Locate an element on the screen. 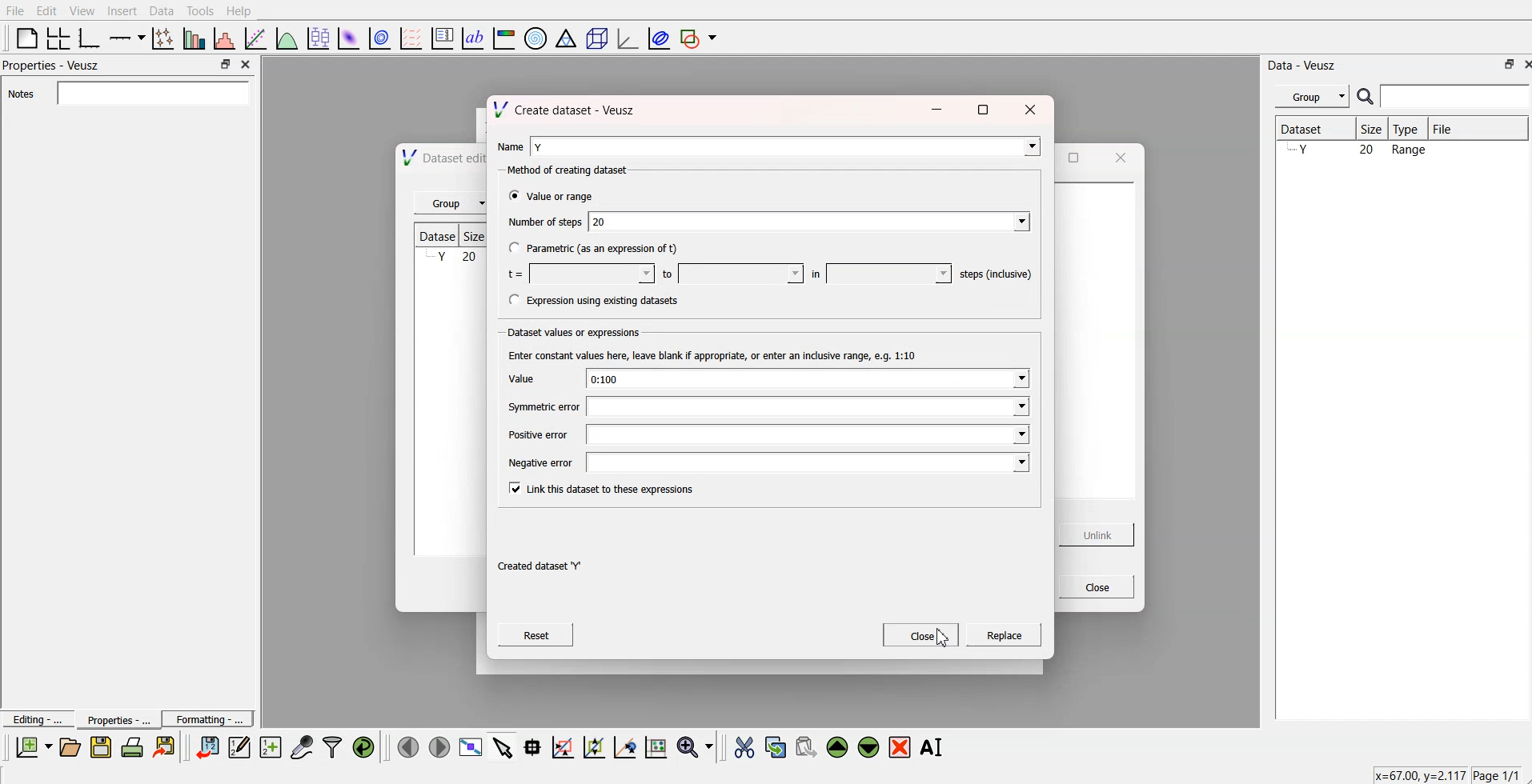 This screenshot has height=784, width=1532. move up is located at coordinates (839, 746).